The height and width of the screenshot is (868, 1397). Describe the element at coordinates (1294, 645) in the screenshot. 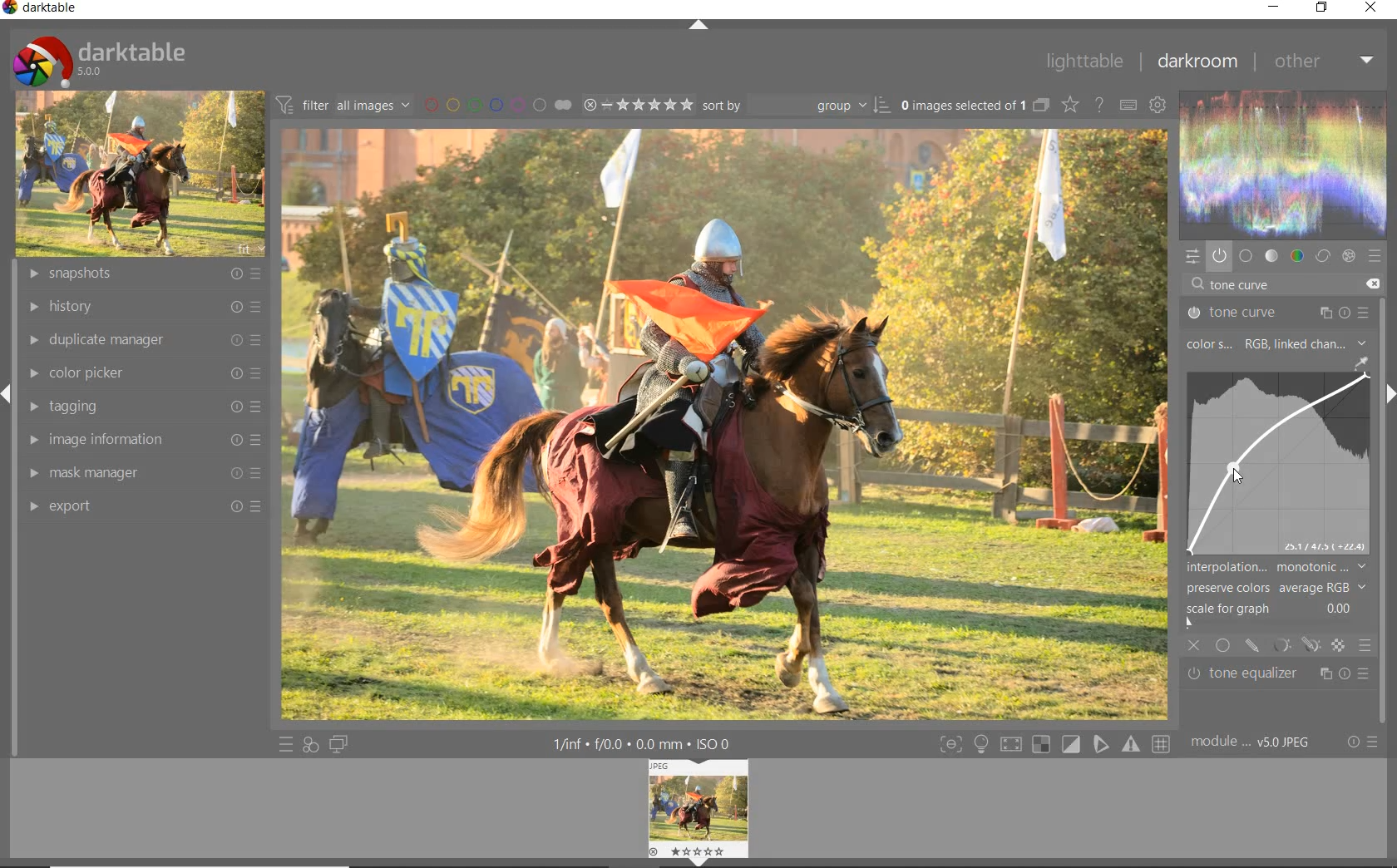

I see `mask options` at that location.